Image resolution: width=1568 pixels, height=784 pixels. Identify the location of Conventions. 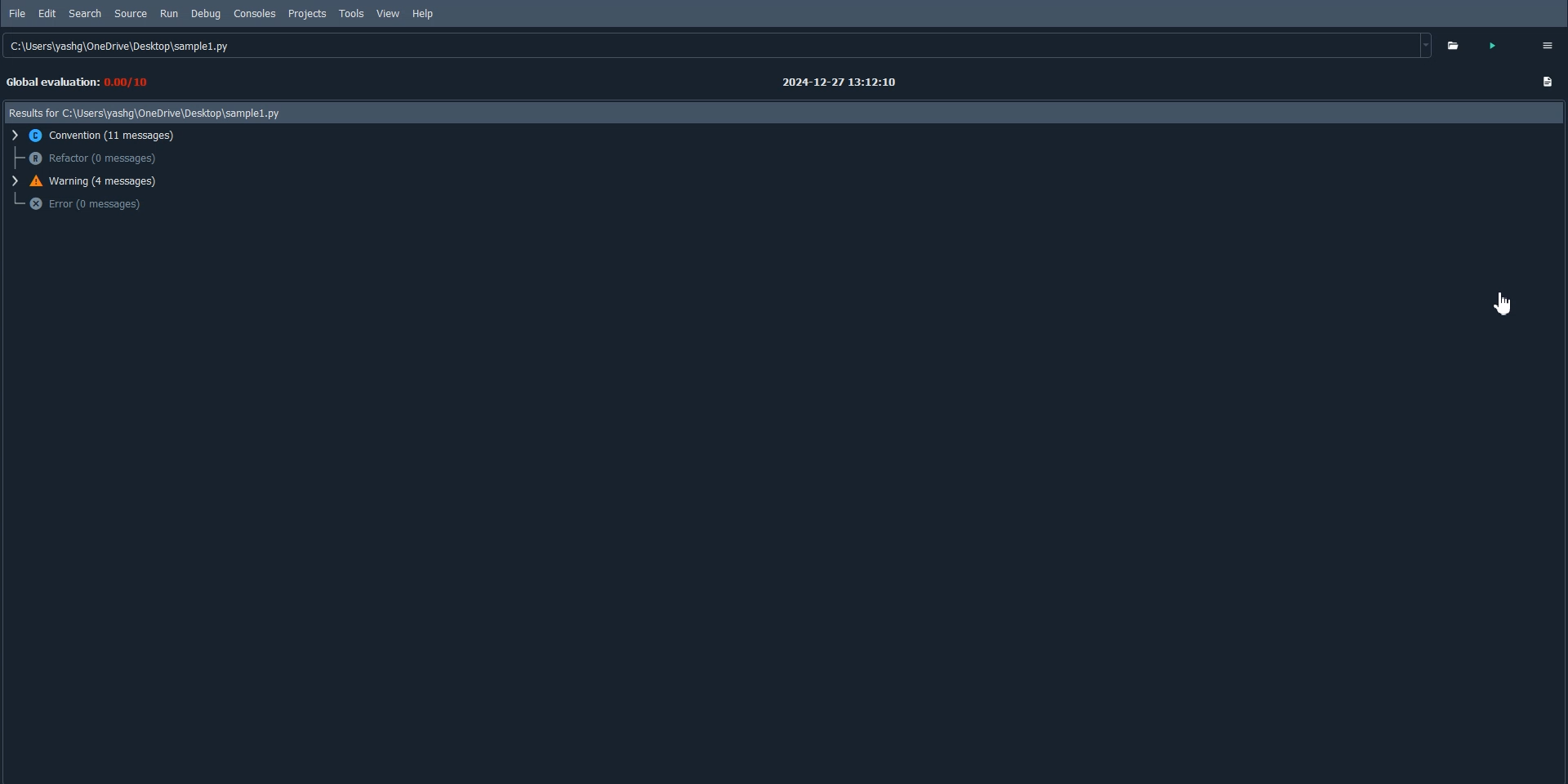
(99, 135).